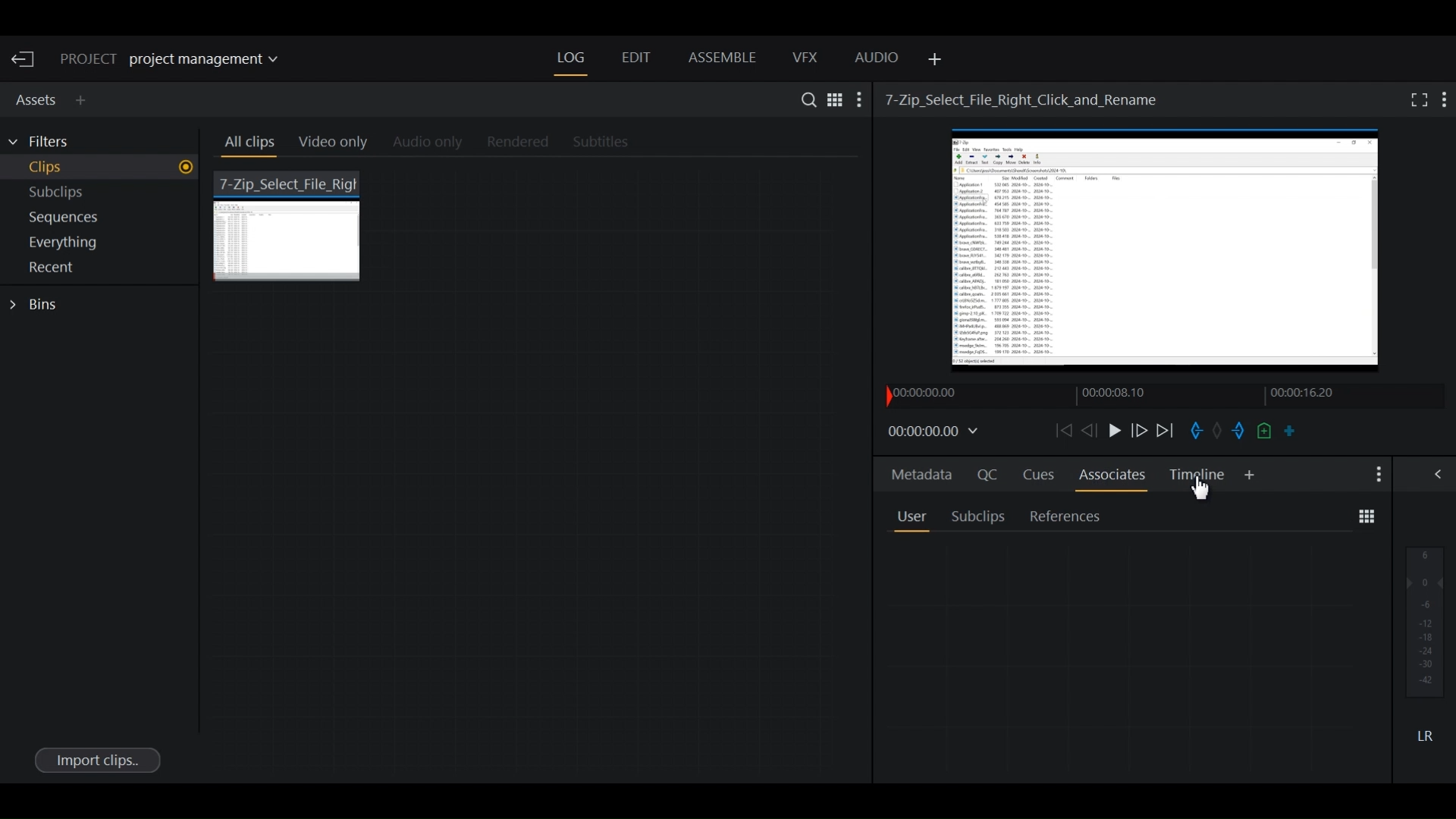 This screenshot has width=1456, height=819. Describe the element at coordinates (1168, 254) in the screenshot. I see `Media Viewer` at that location.